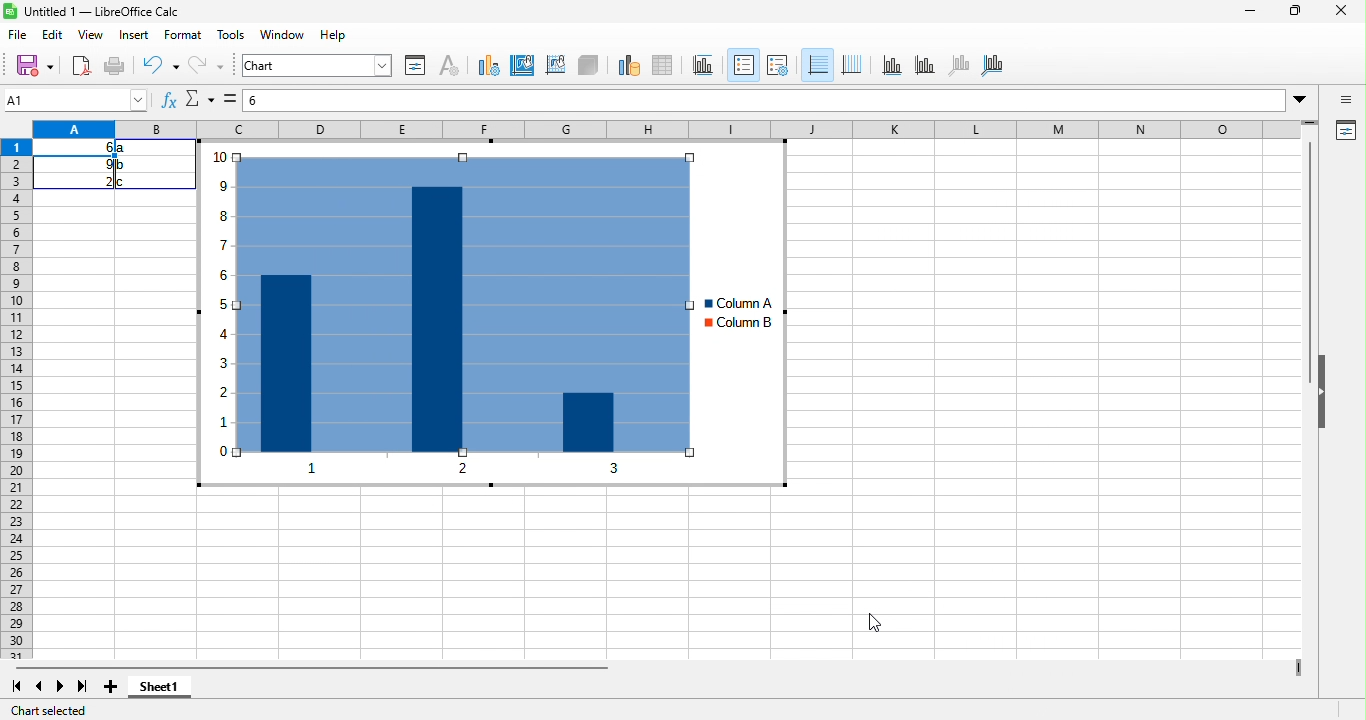 The width and height of the screenshot is (1366, 720). Describe the element at coordinates (873, 623) in the screenshot. I see `cursor` at that location.